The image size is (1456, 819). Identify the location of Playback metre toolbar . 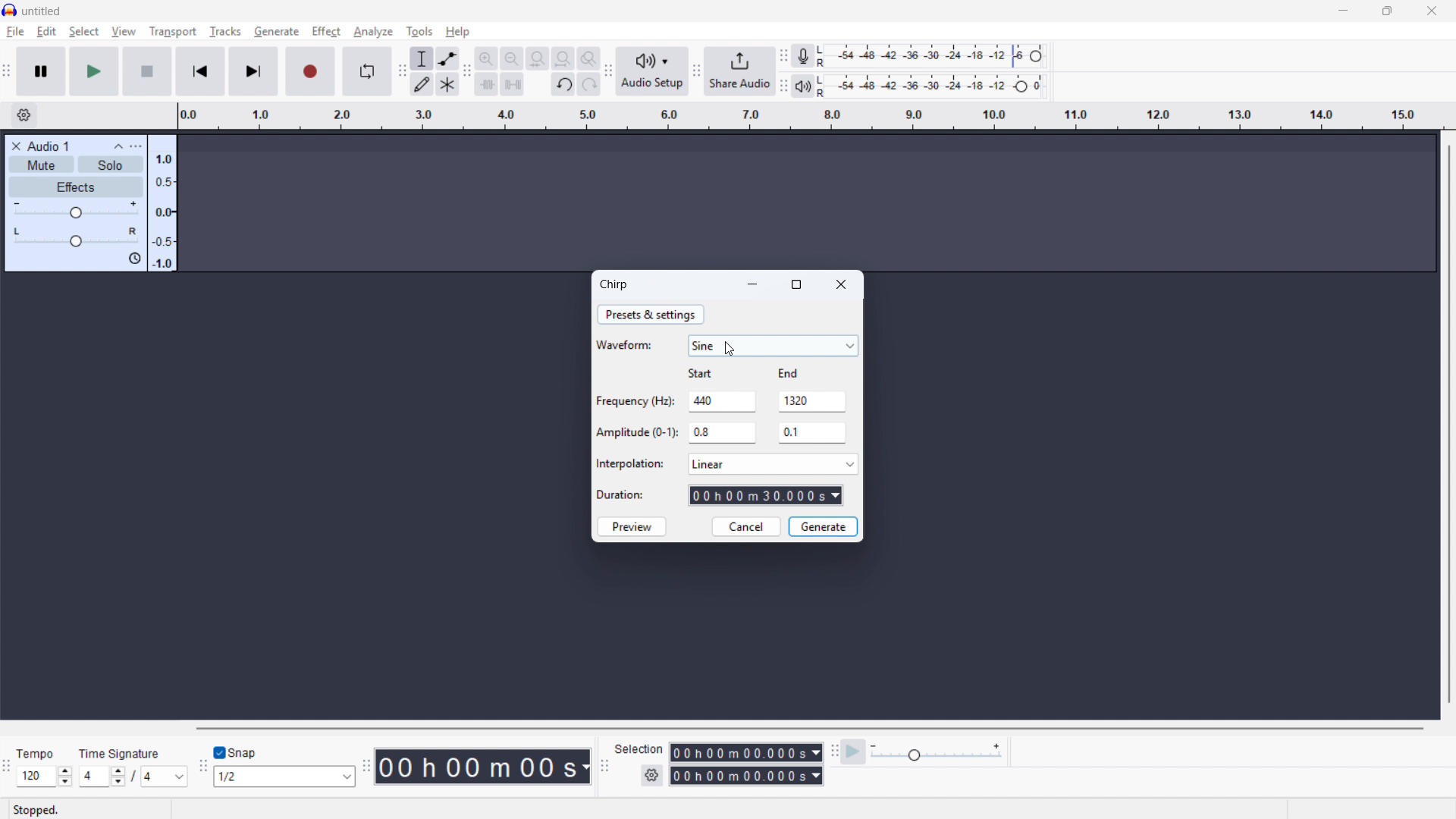
(783, 86).